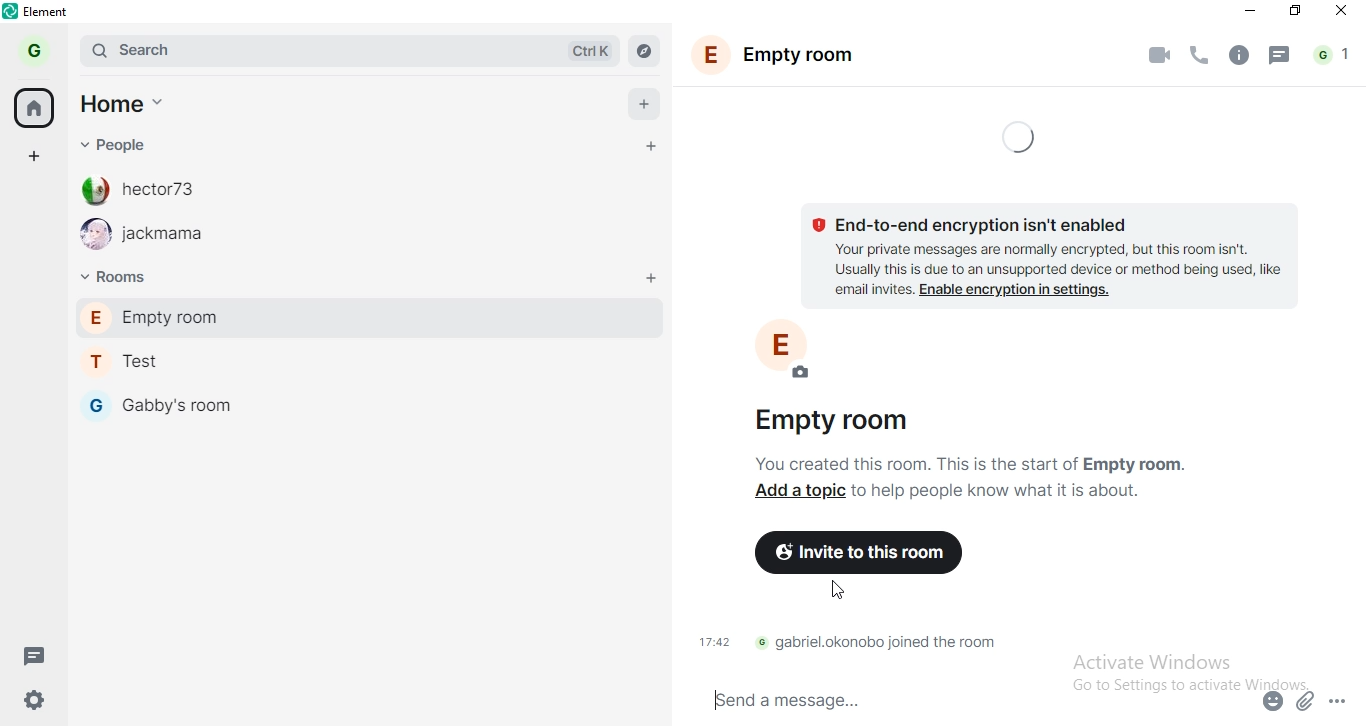 This screenshot has height=726, width=1366. Describe the element at coordinates (51, 10) in the screenshot. I see `element | test` at that location.